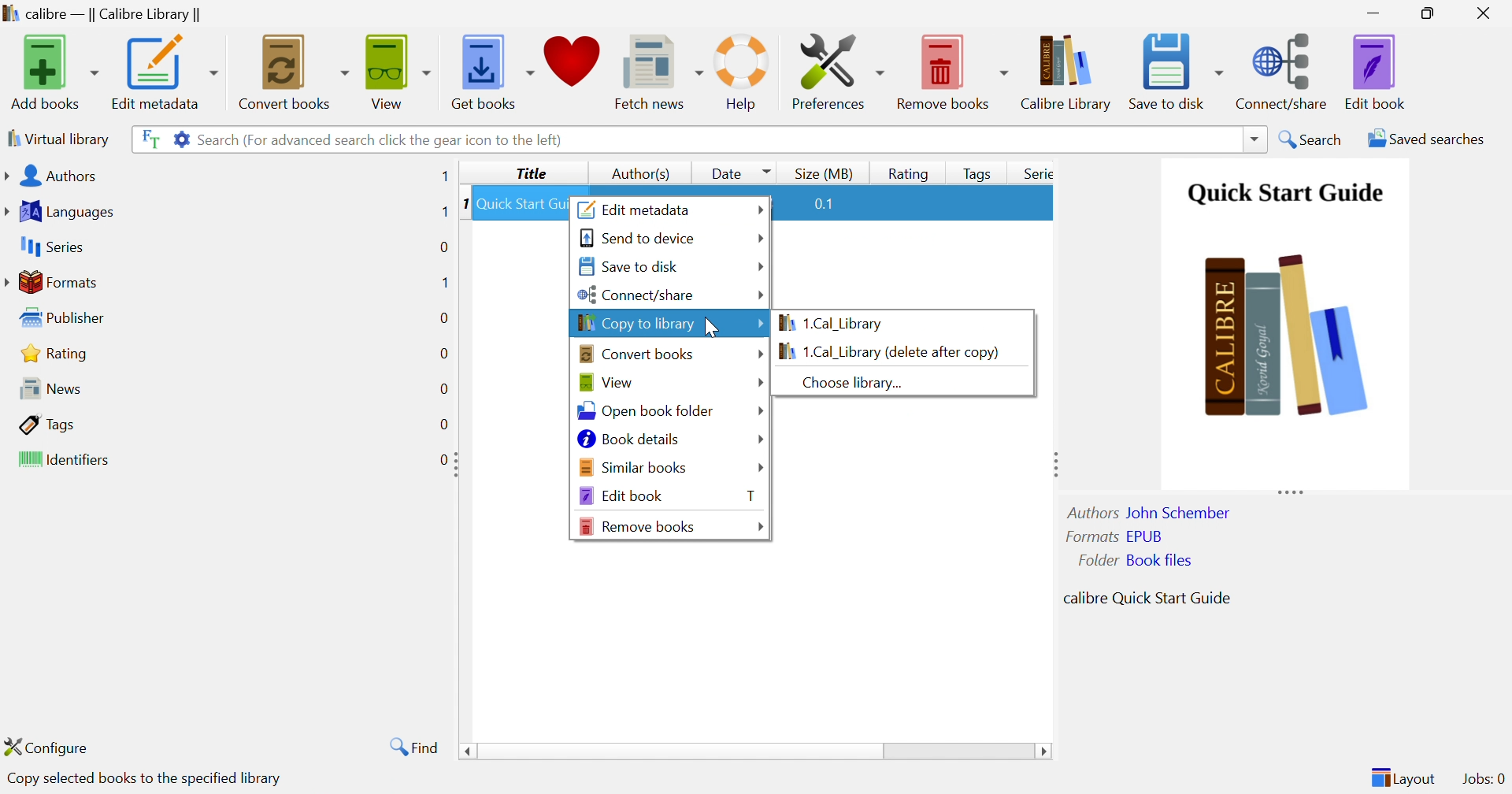  I want to click on Help, so click(745, 72).